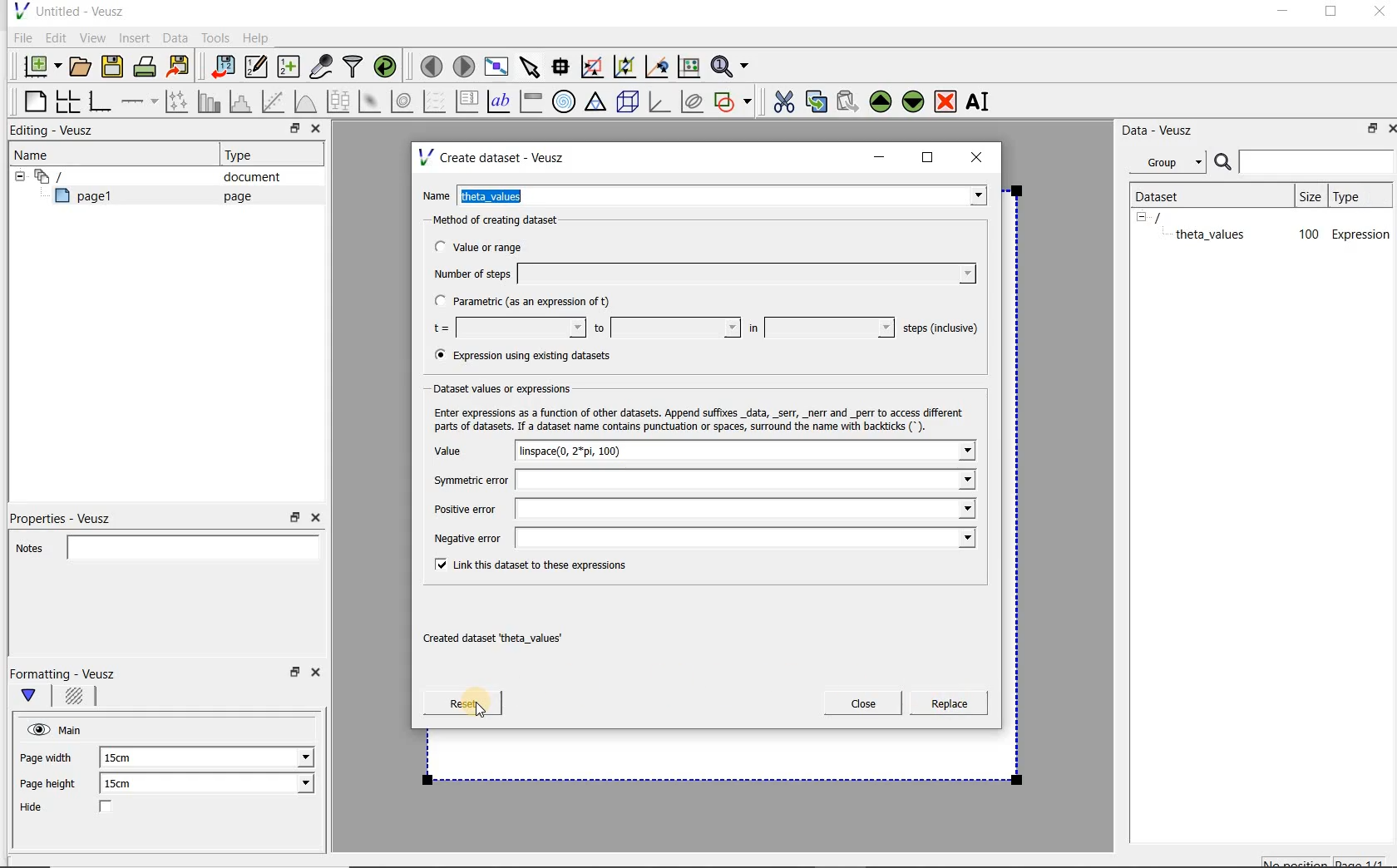  Describe the element at coordinates (1142, 216) in the screenshot. I see `hide sub menu` at that location.